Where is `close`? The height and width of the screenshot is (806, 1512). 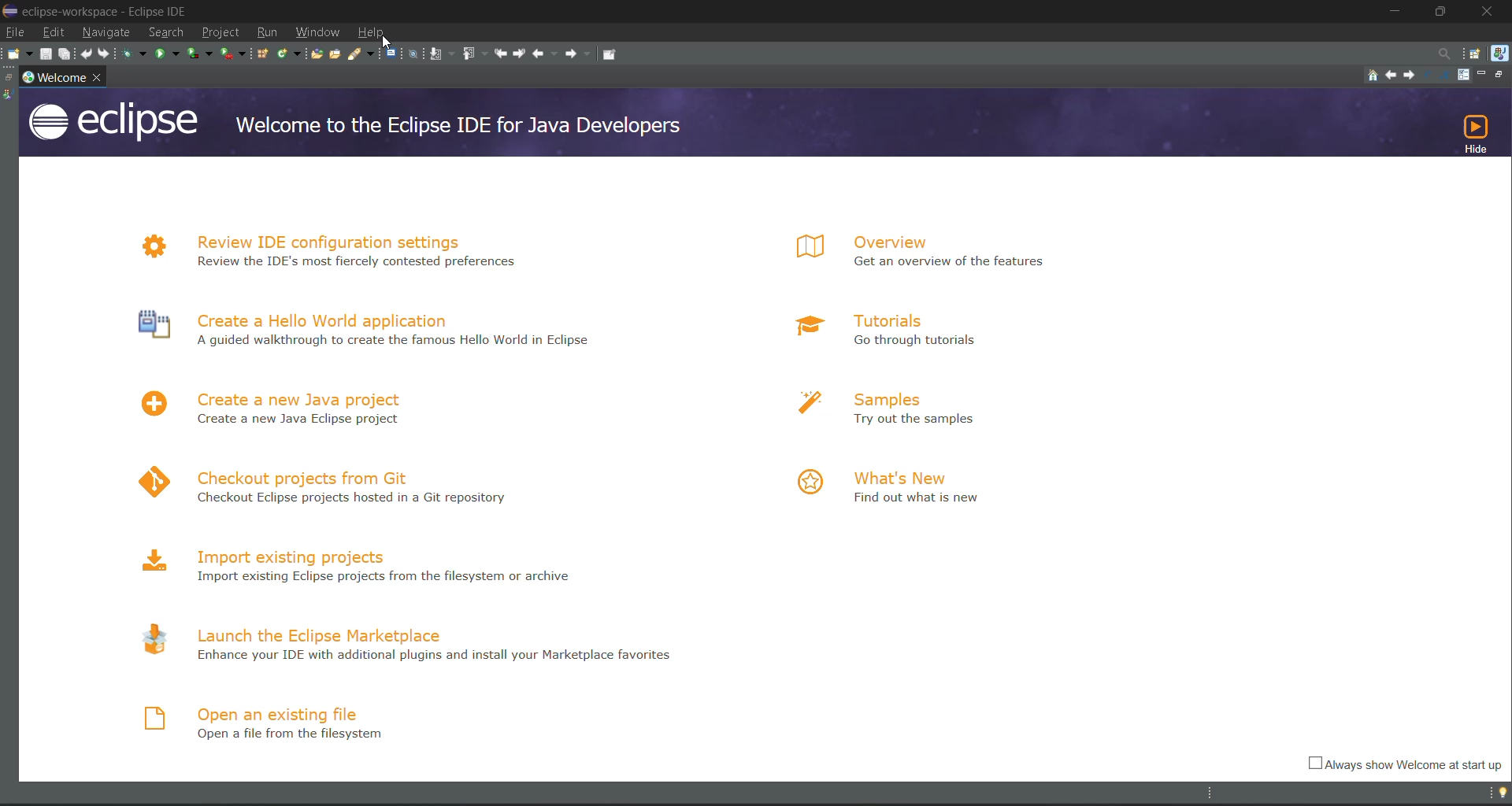
close is located at coordinates (1489, 12).